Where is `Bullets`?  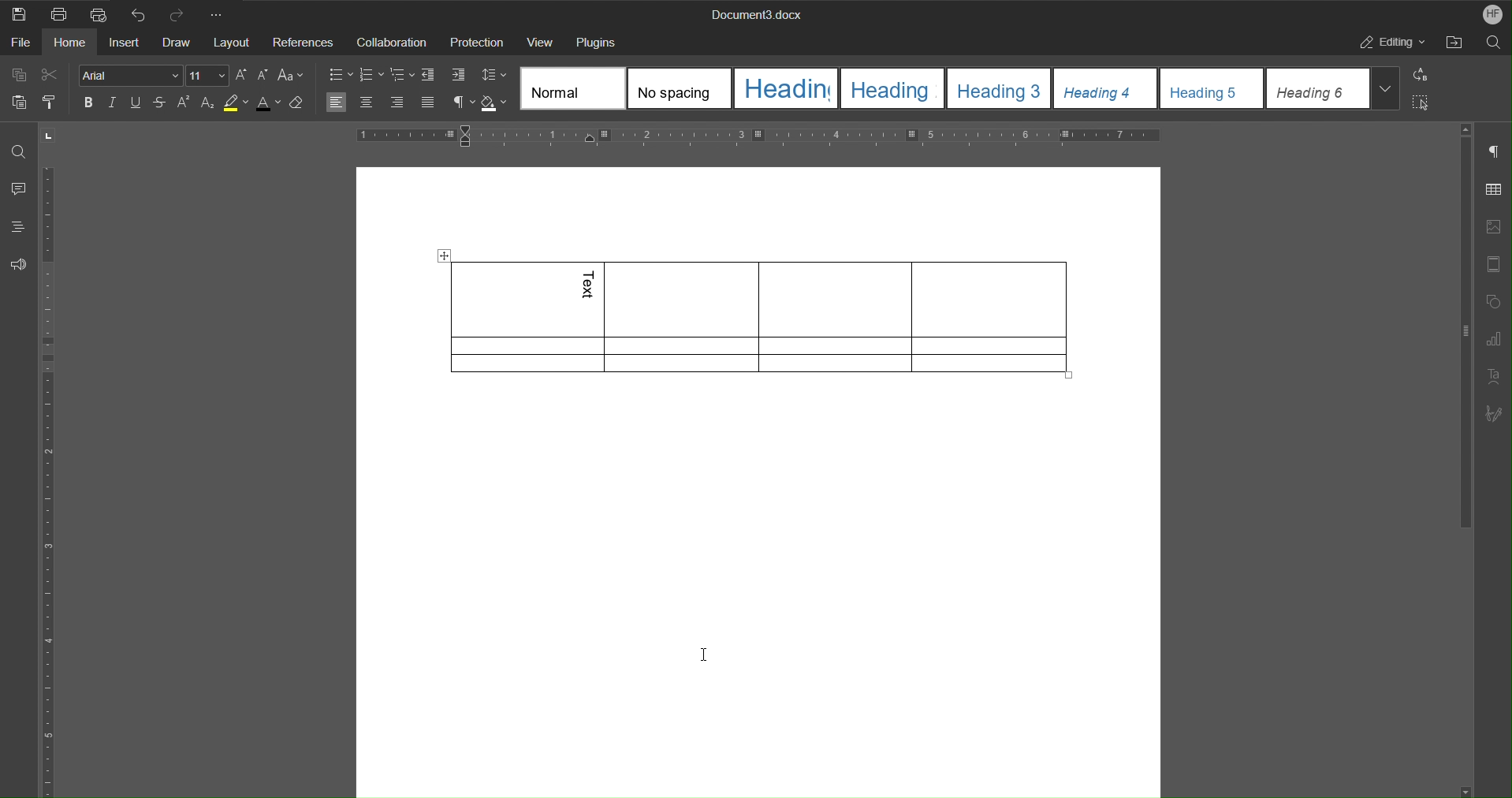
Bullets is located at coordinates (339, 75).